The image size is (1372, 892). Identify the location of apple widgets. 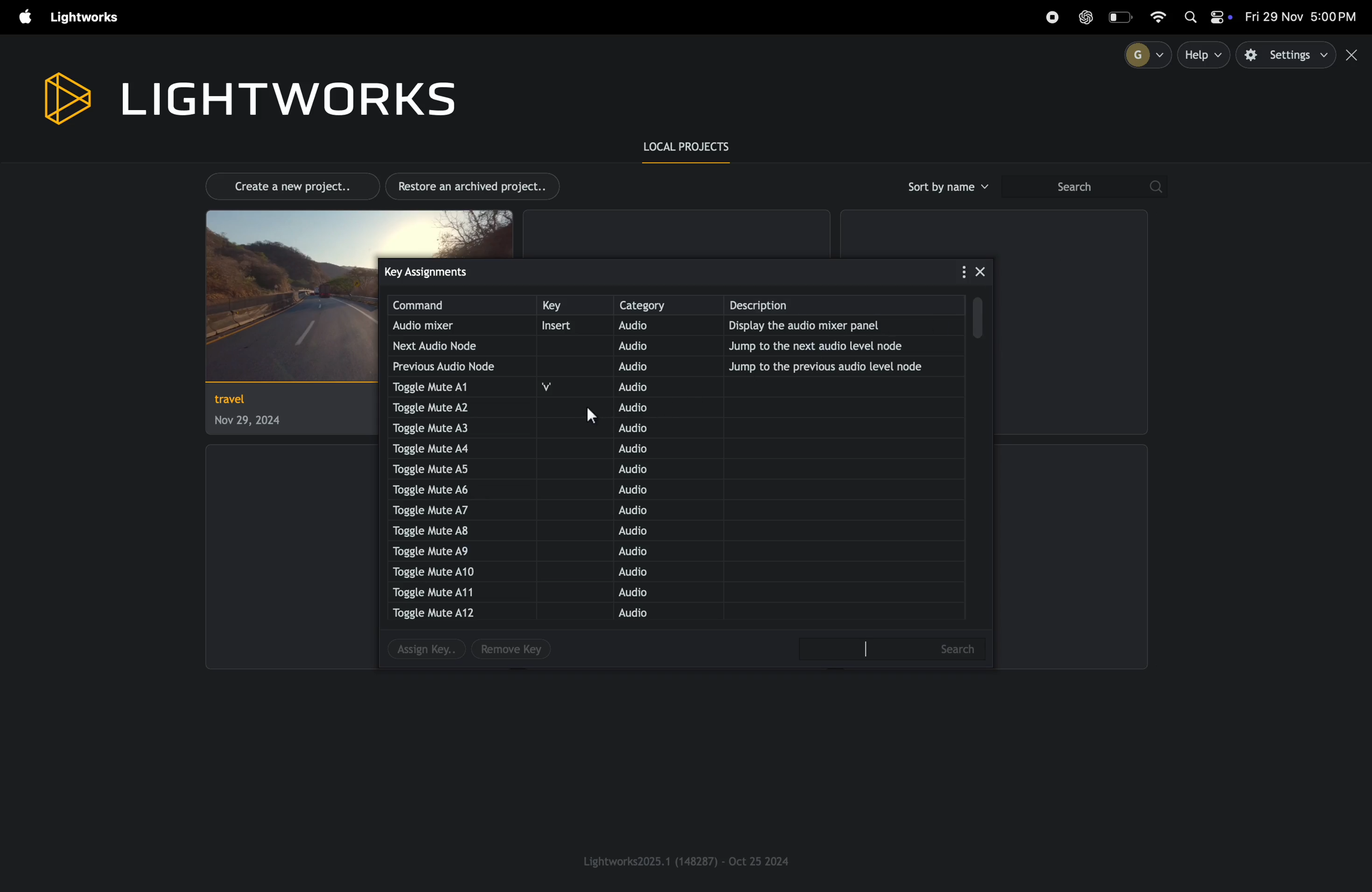
(1207, 18).